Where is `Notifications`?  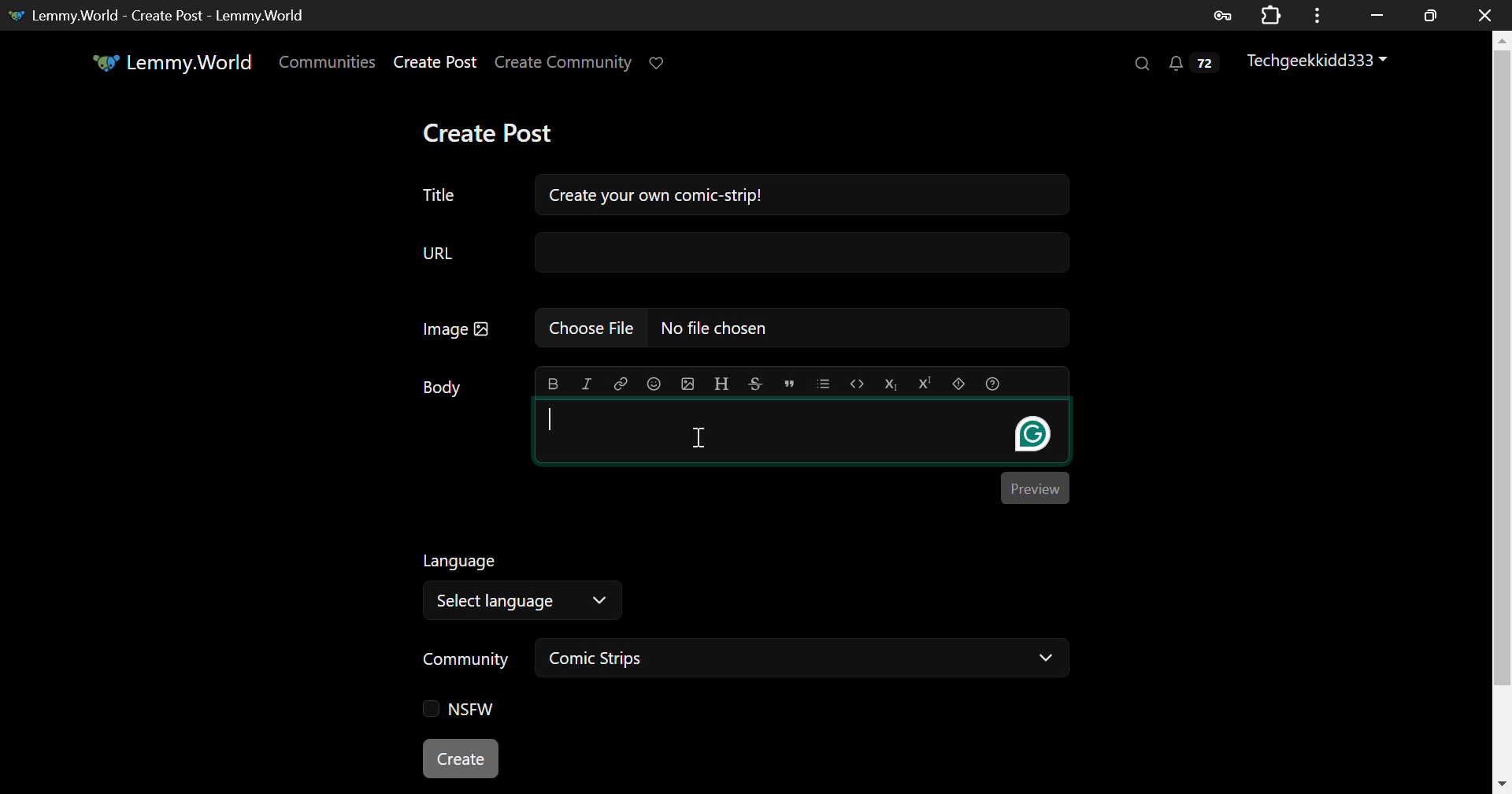 Notifications is located at coordinates (1192, 67).